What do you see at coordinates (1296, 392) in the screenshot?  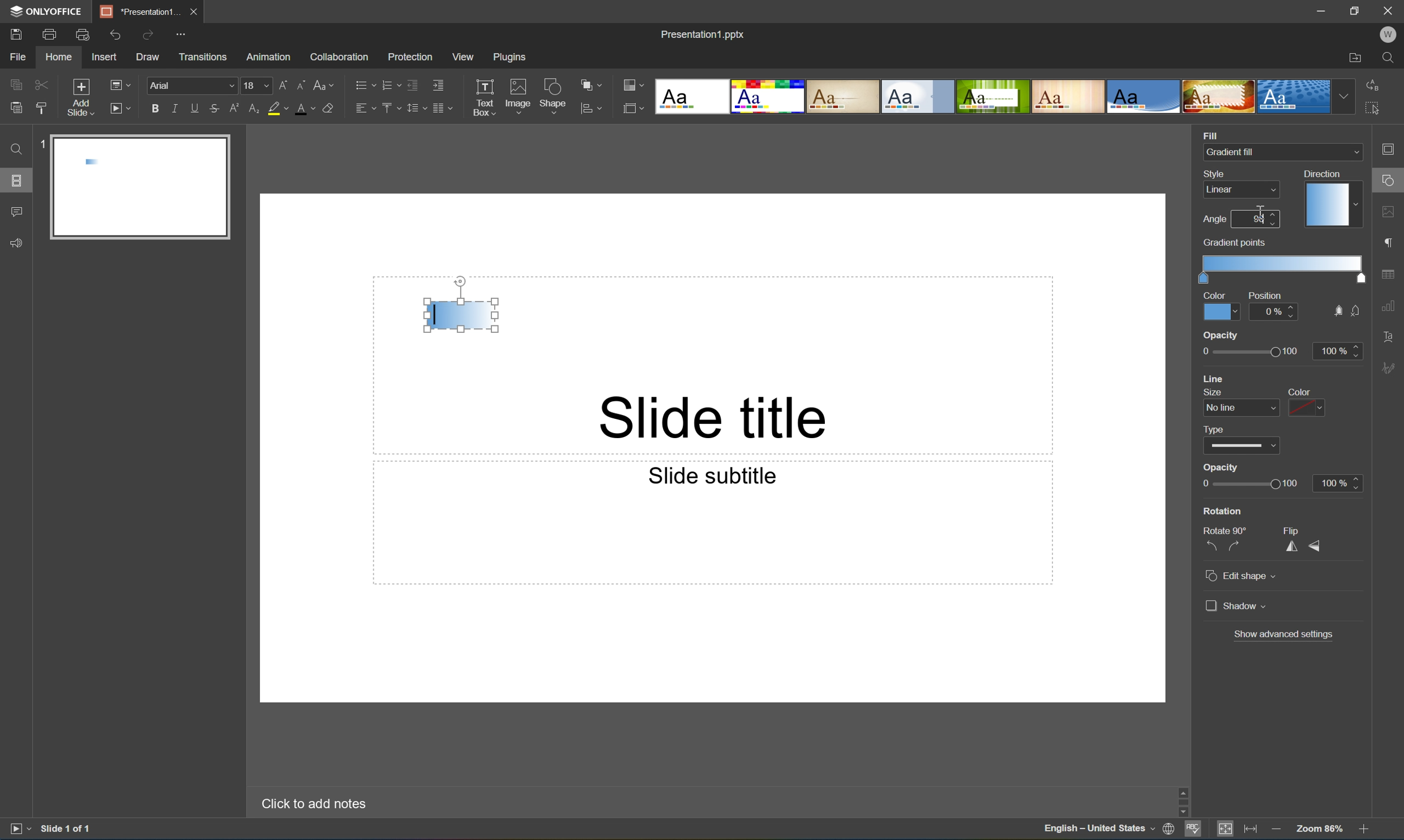 I see `color` at bounding box center [1296, 392].